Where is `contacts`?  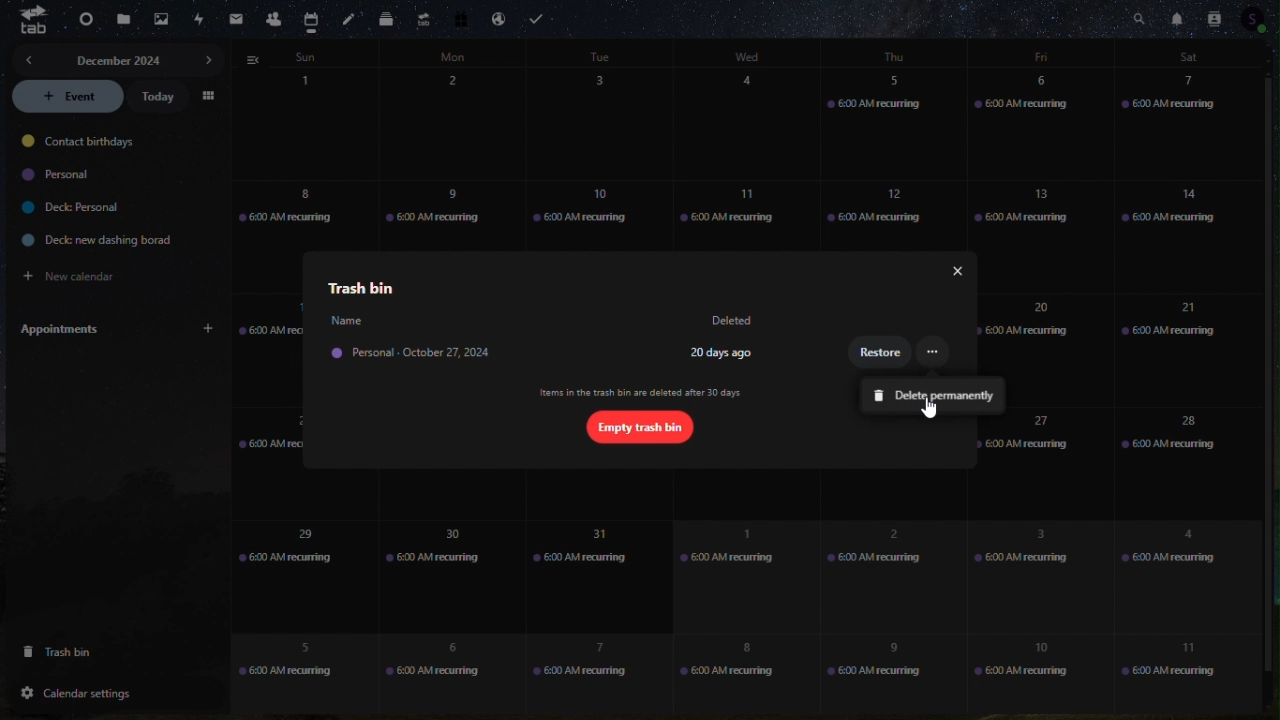 contacts is located at coordinates (273, 17).